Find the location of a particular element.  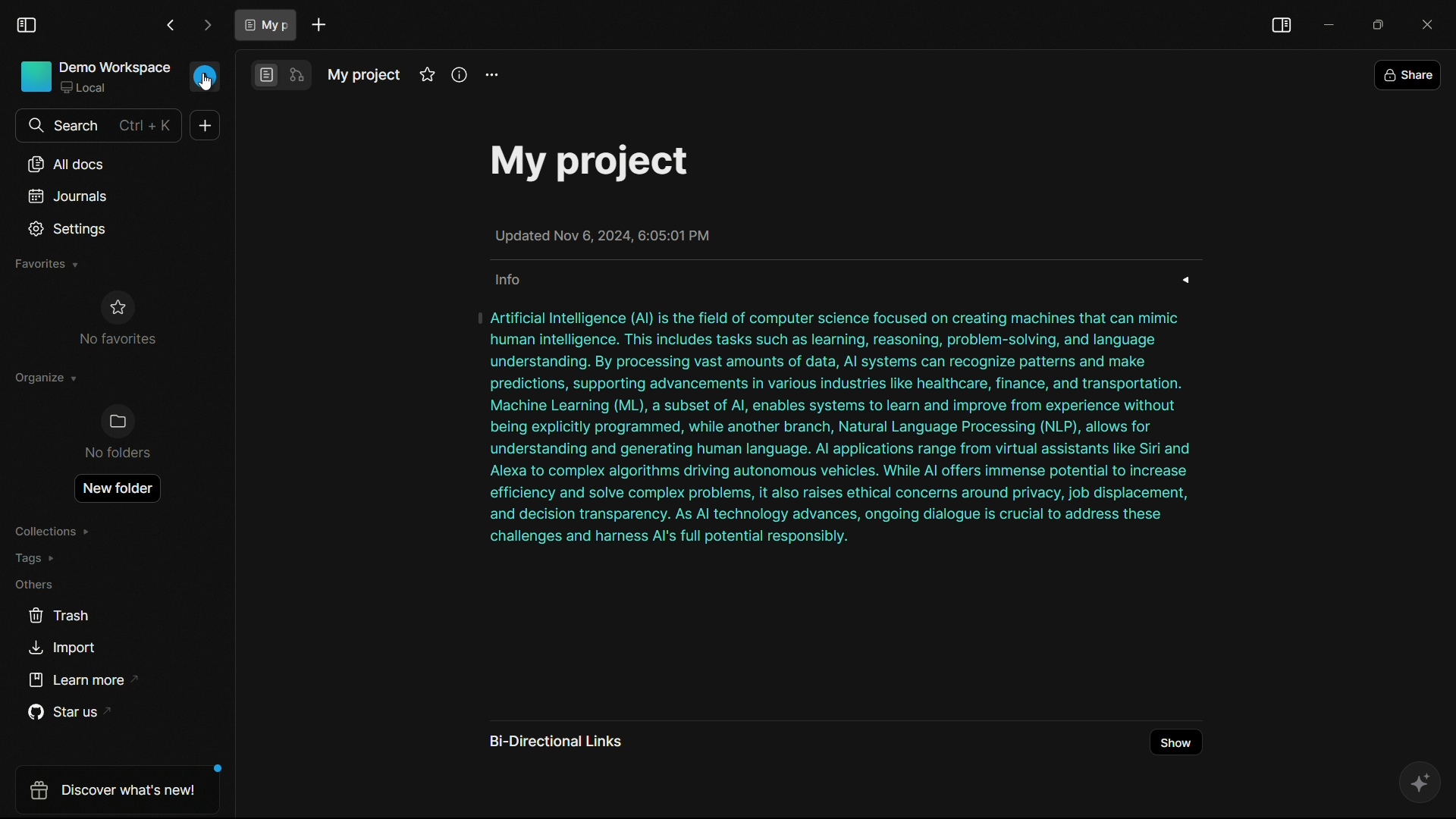

My project is located at coordinates (592, 162).